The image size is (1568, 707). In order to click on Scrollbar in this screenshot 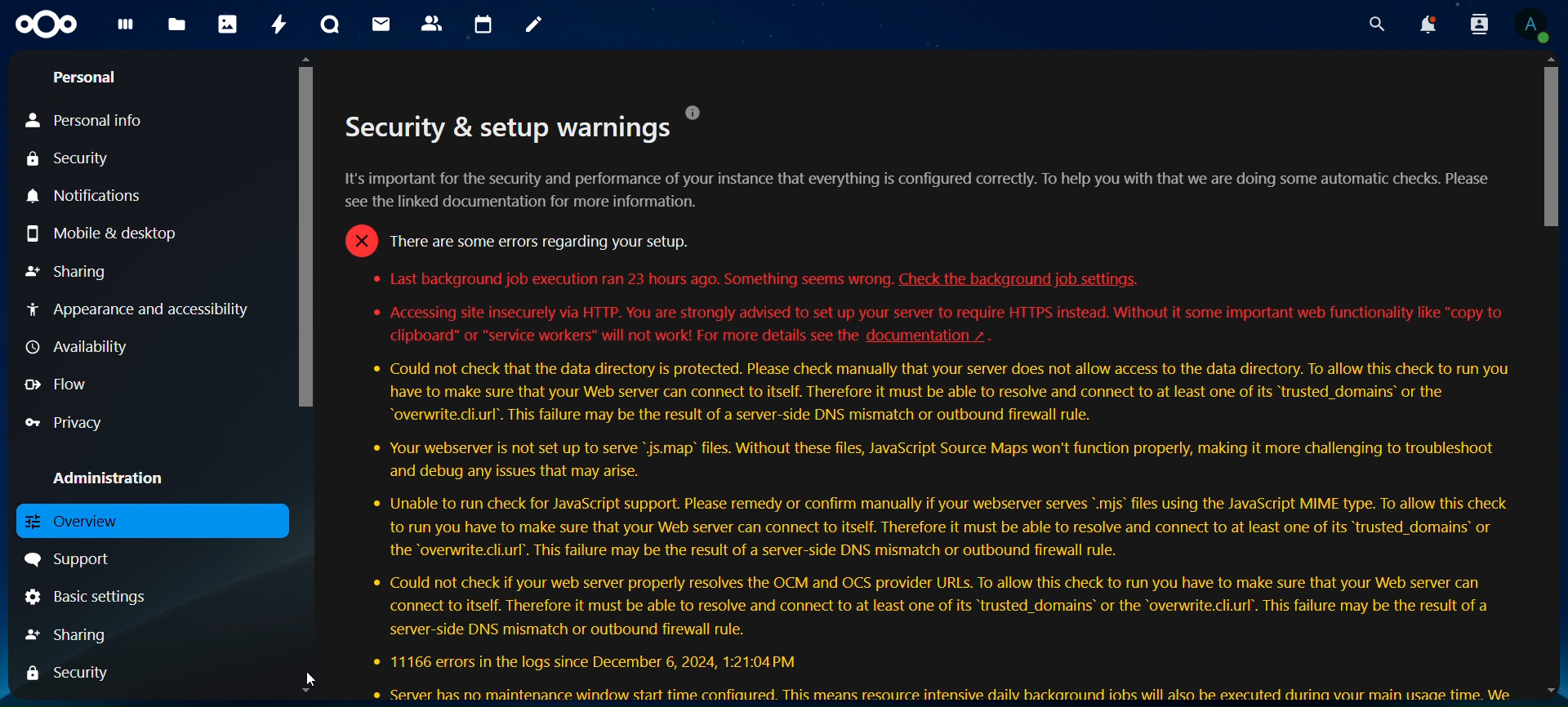, I will do `click(1546, 377)`.